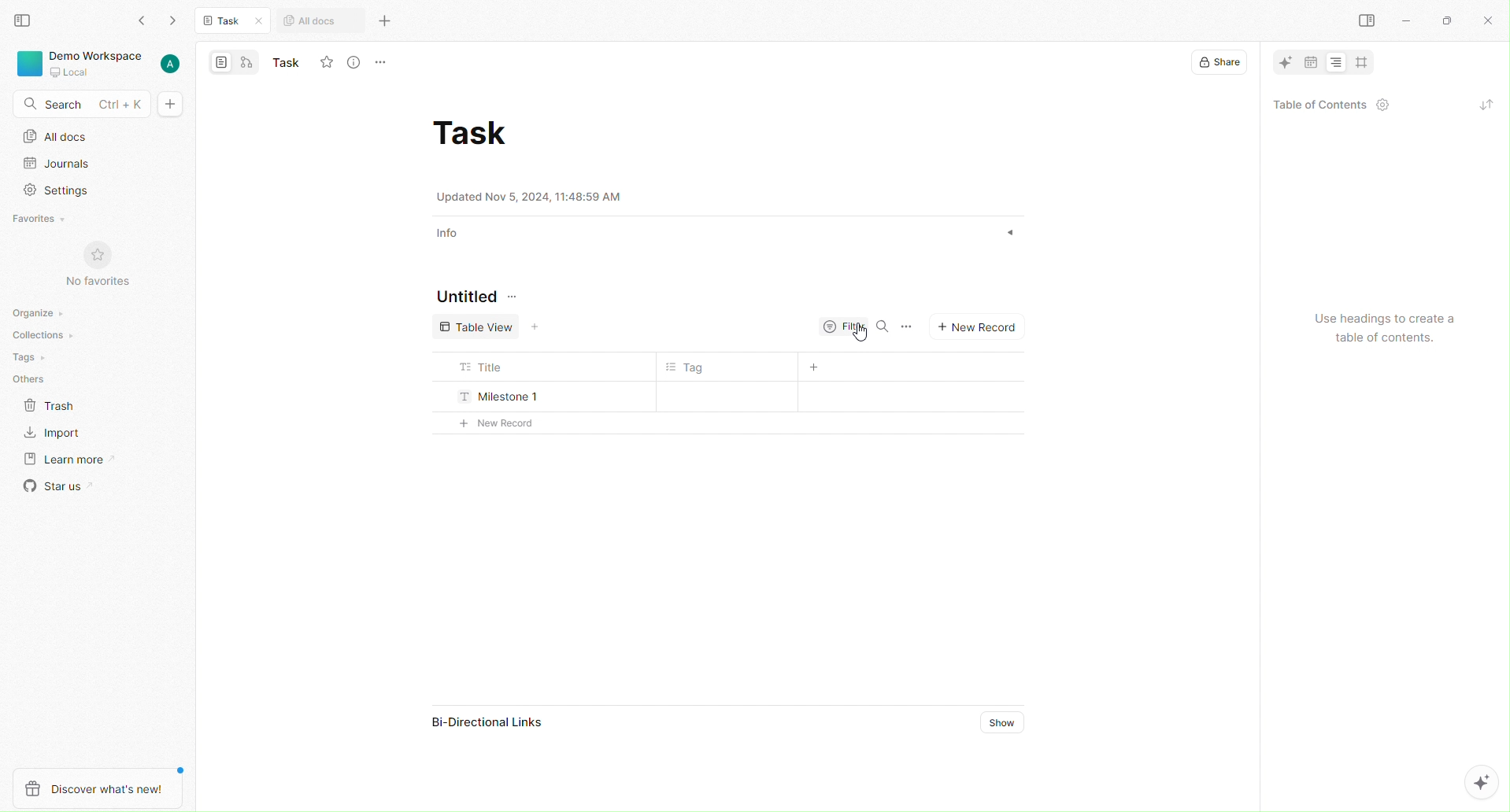 The width and height of the screenshot is (1510, 812). Describe the element at coordinates (25, 356) in the screenshot. I see `Tags` at that location.